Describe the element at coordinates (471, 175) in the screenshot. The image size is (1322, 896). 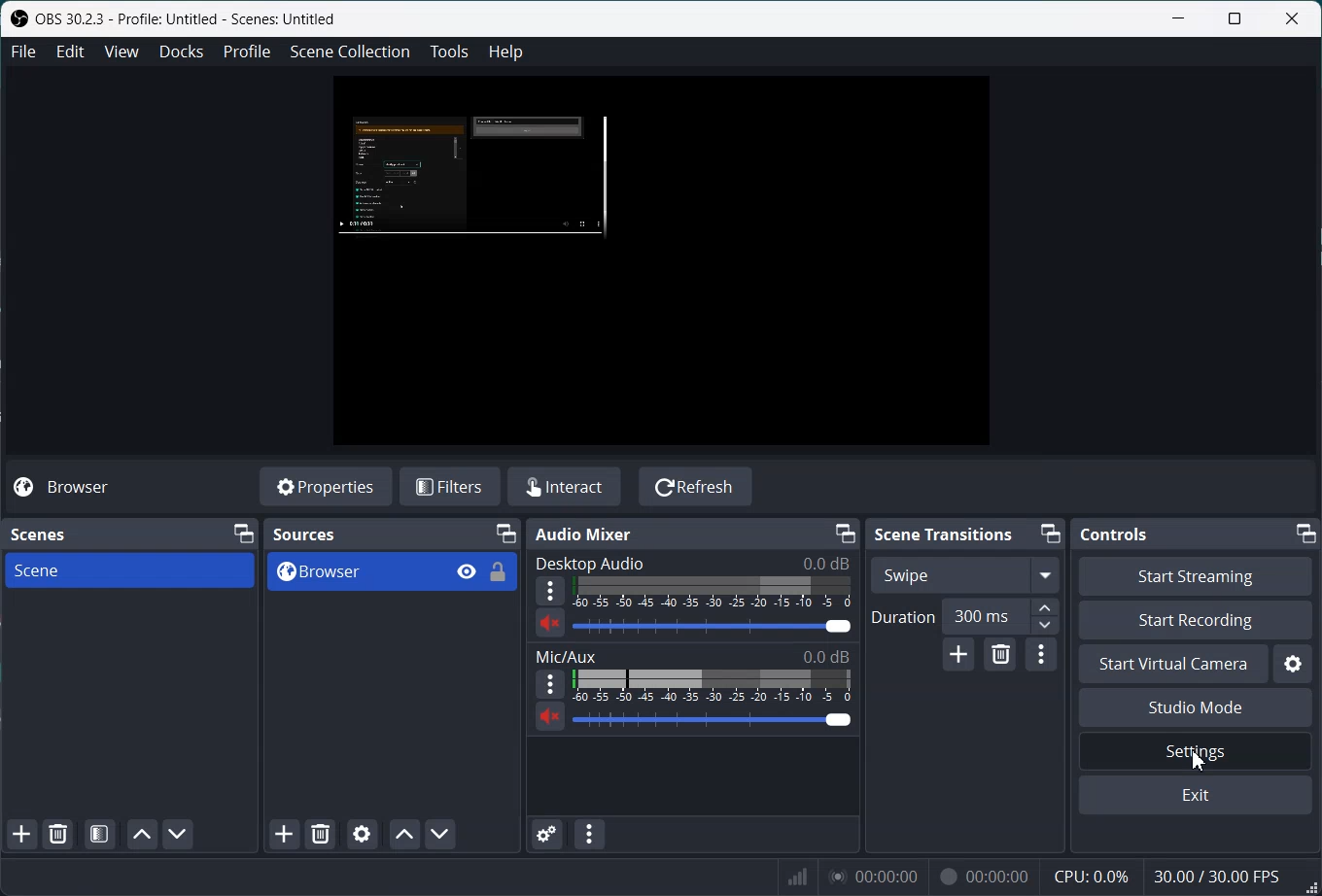
I see `Source preview` at that location.